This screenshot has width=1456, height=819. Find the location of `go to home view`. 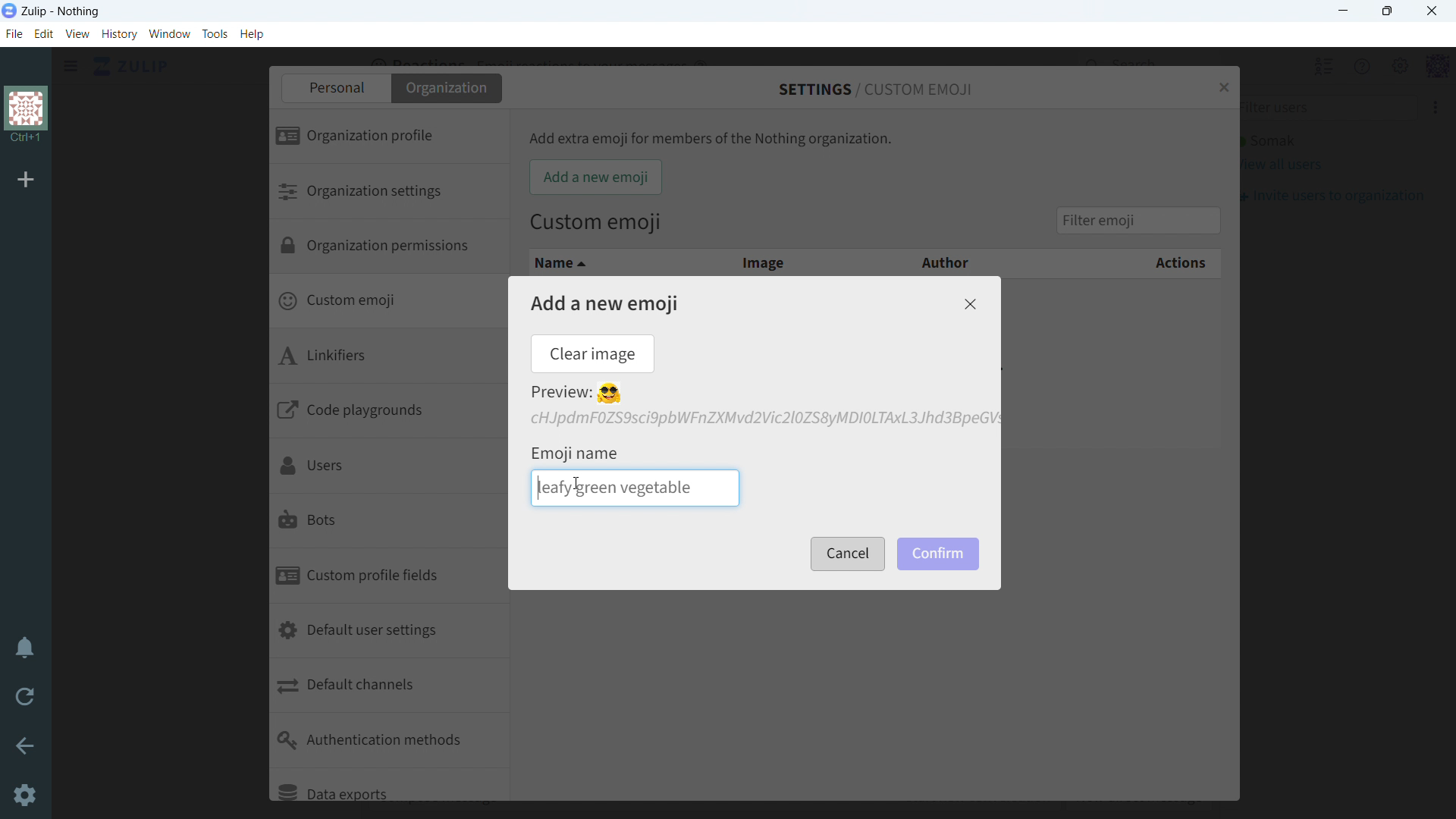

go to home view is located at coordinates (131, 67).